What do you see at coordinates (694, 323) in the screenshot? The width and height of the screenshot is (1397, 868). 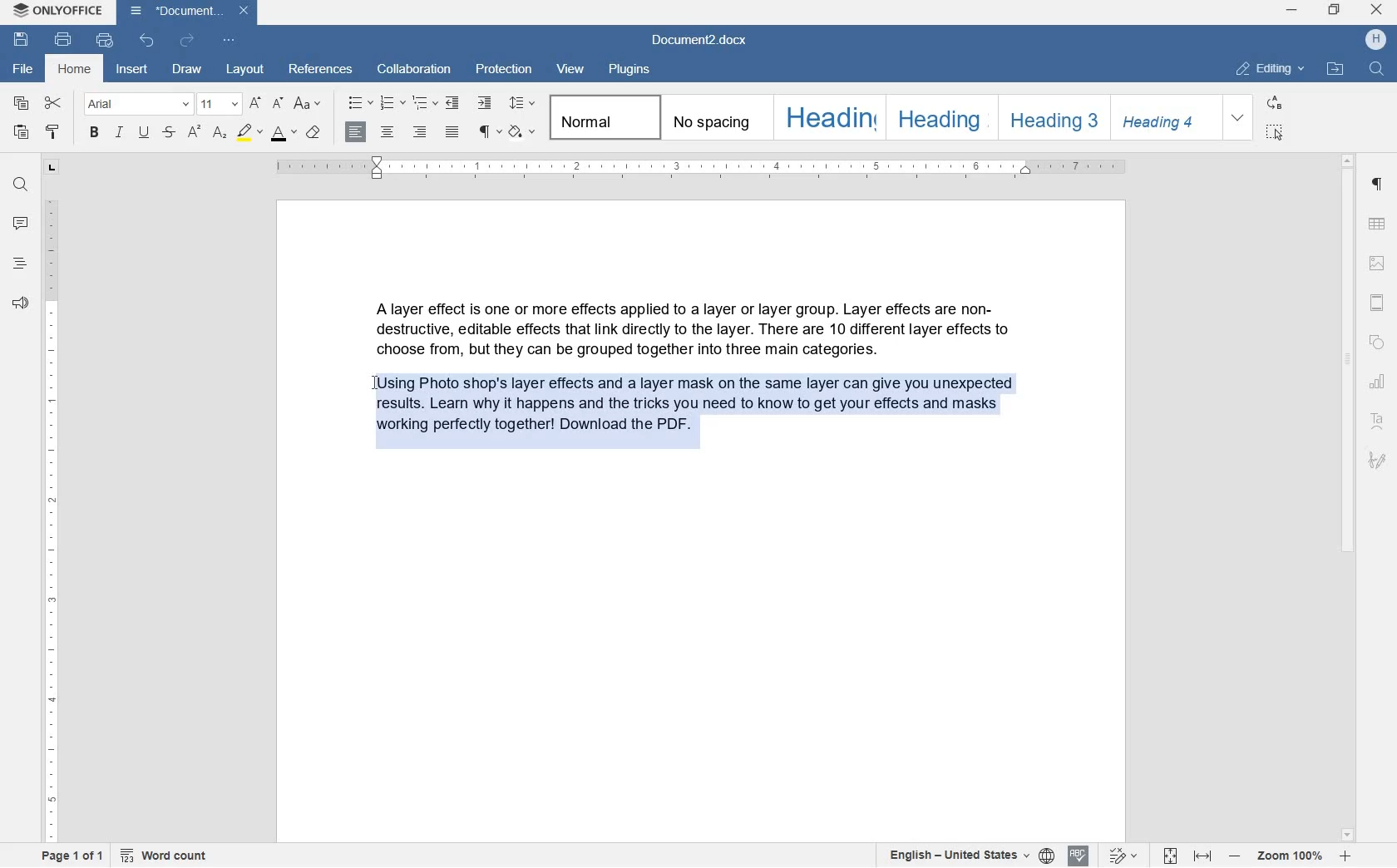 I see `Alayer effect is one or more effects applied to a layer or layer group. Layer effects are non-
destructive, editable effects that link directly to the layer. There are 10 different layer effects to
choose from, but they can be grouped together into three main categories.` at bounding box center [694, 323].